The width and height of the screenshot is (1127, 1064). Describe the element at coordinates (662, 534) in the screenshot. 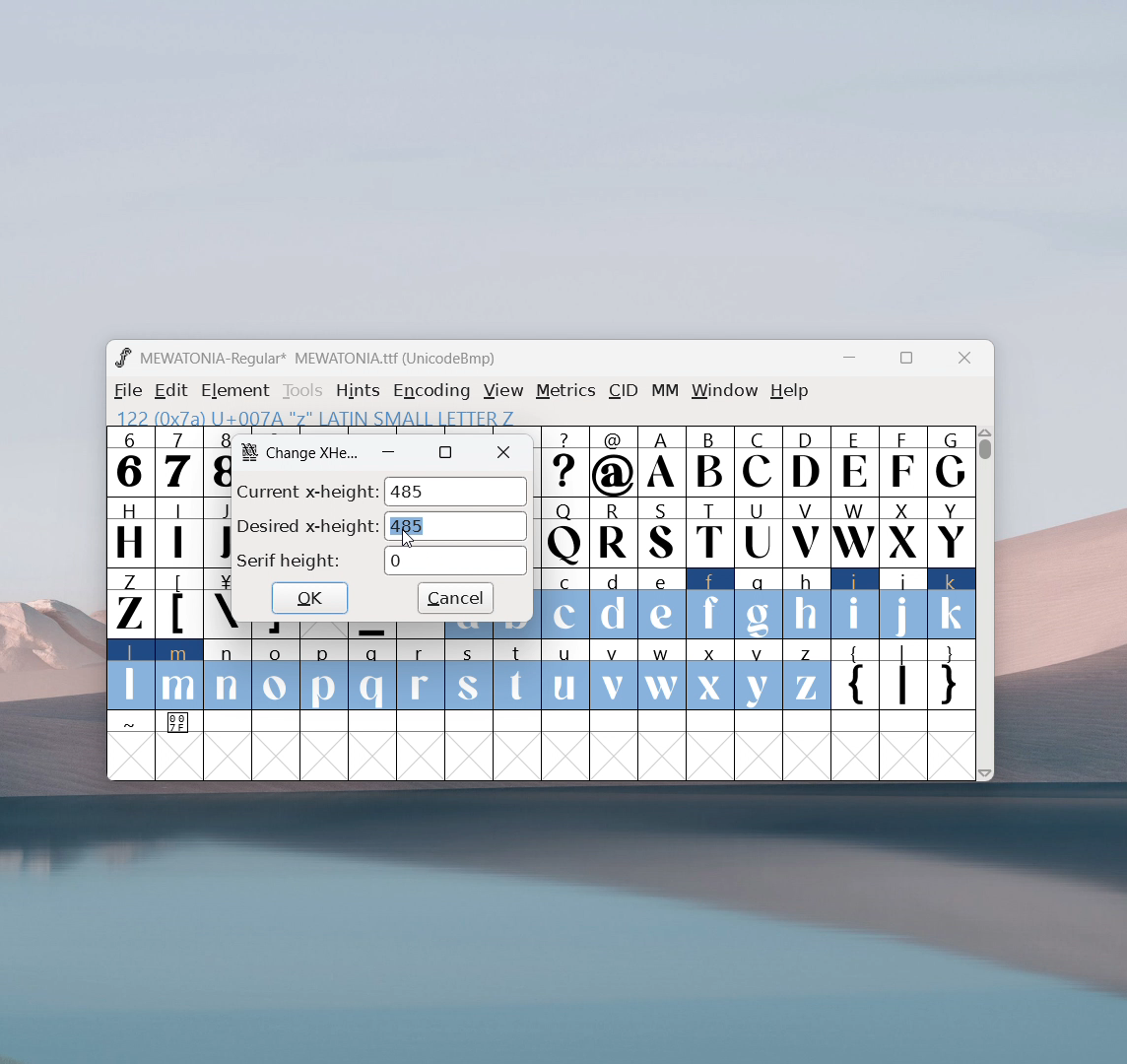

I see `S` at that location.